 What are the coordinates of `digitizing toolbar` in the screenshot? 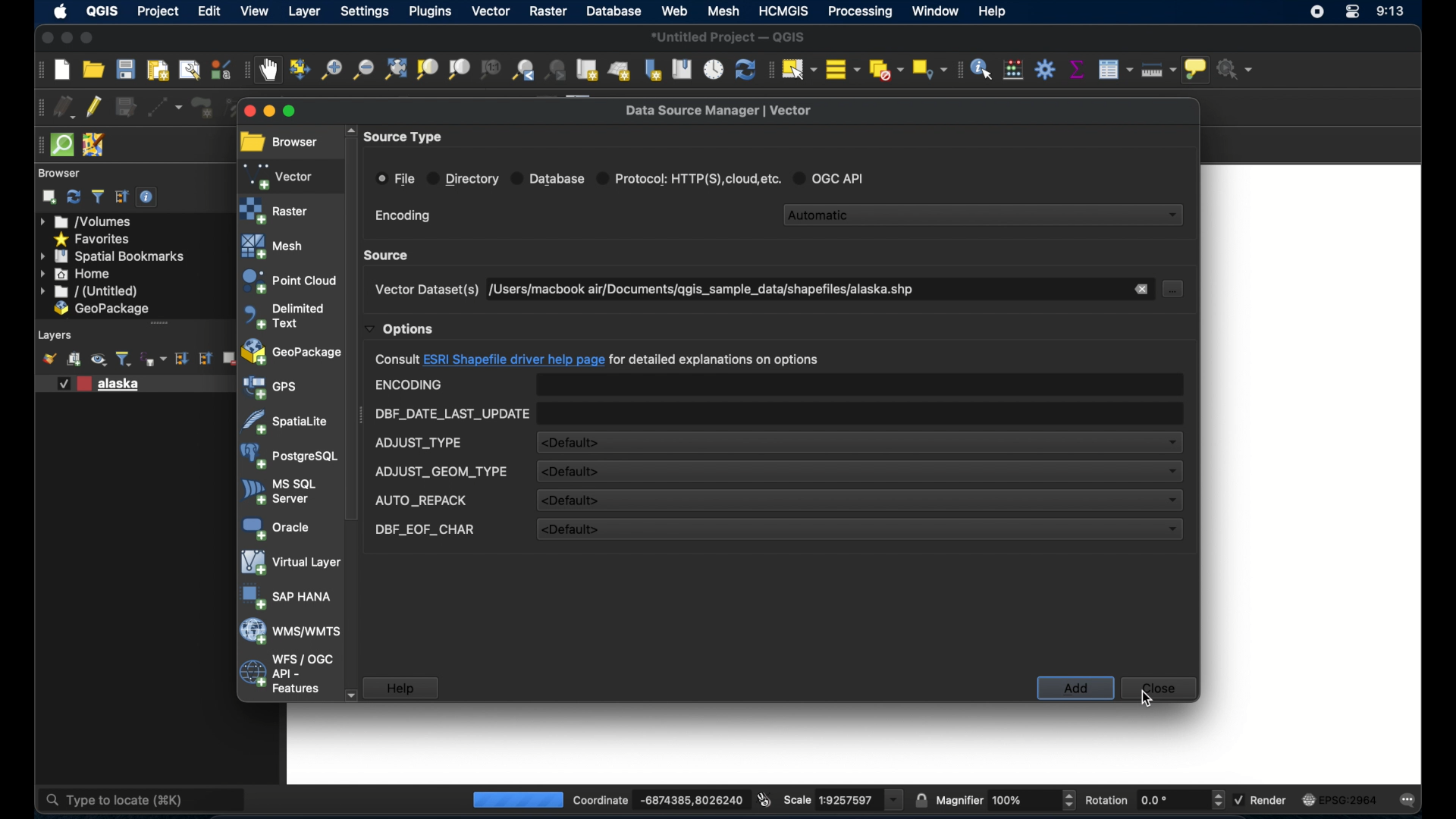 It's located at (36, 107).